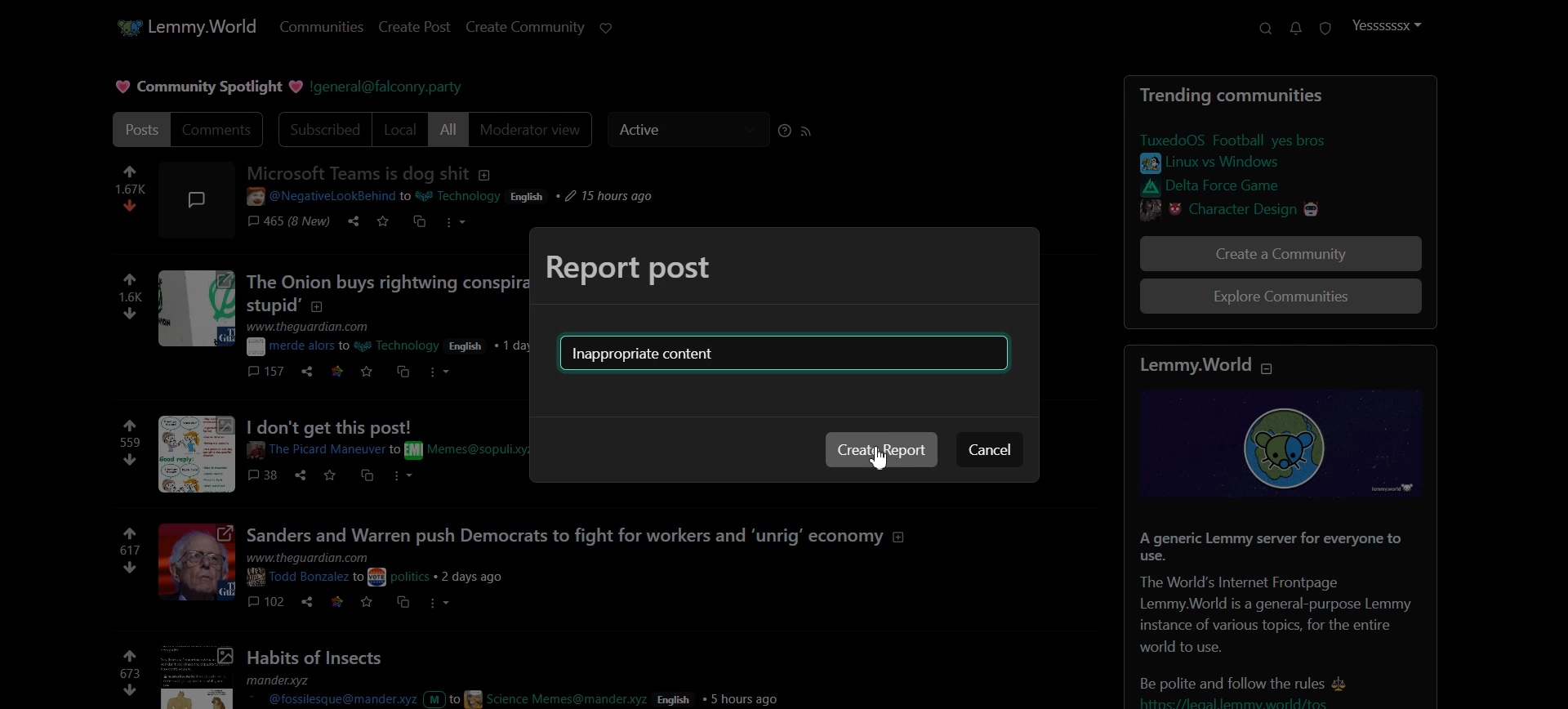 The image size is (1568, 709). I want to click on comments, so click(266, 475).